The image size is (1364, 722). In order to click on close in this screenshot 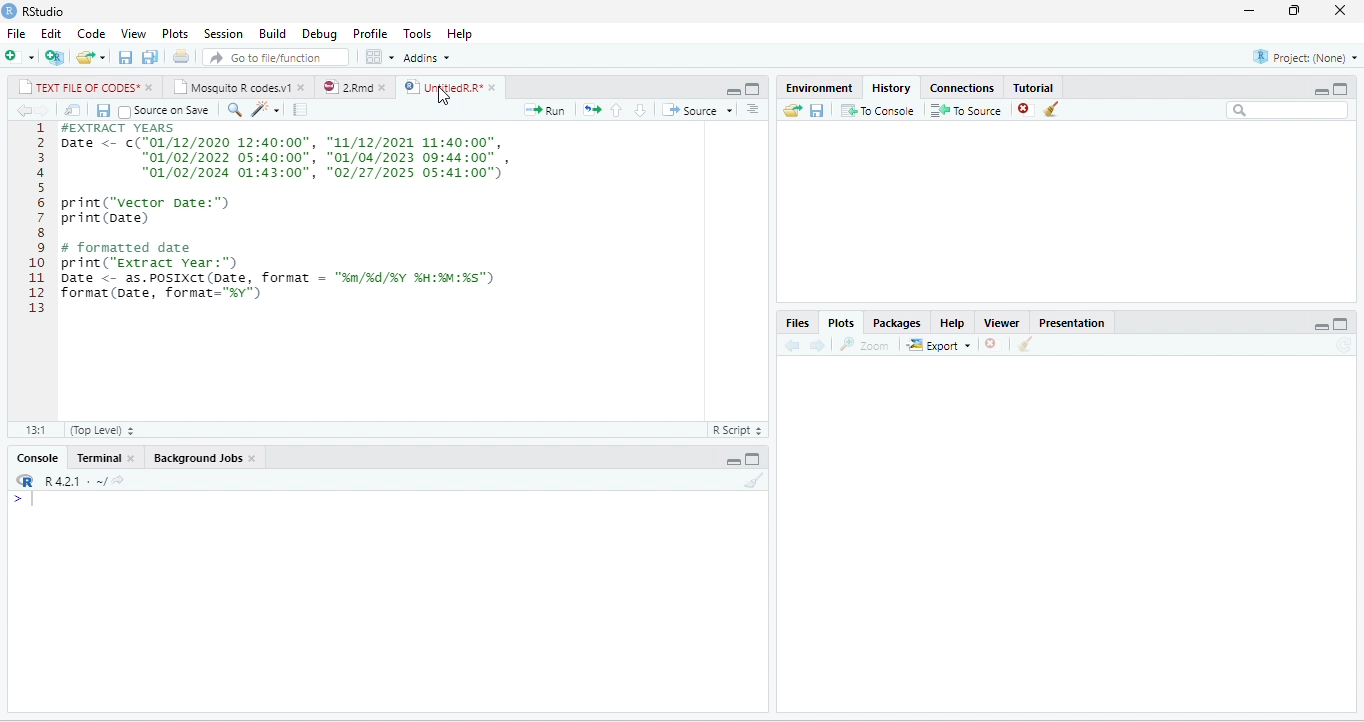, I will do `click(1340, 11)`.